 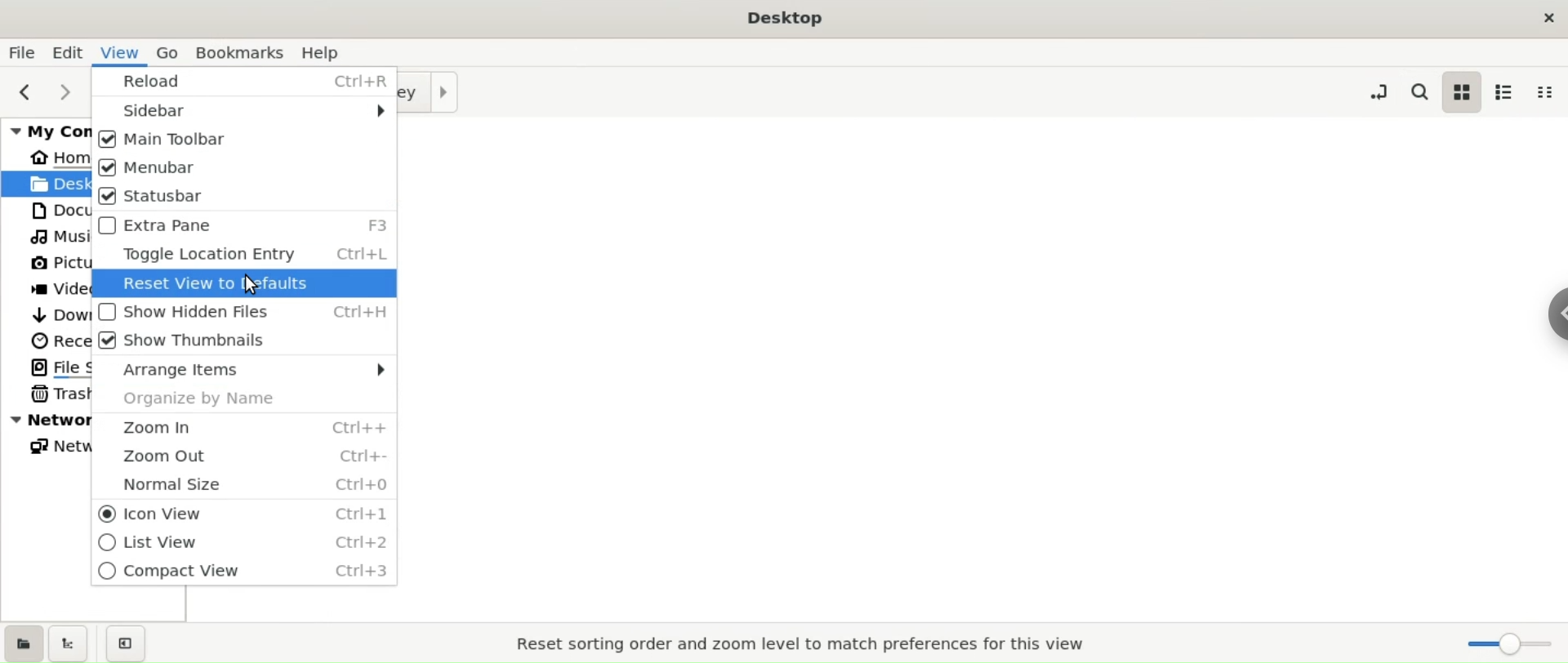 What do you see at coordinates (256, 283) in the screenshot?
I see `cursor` at bounding box center [256, 283].